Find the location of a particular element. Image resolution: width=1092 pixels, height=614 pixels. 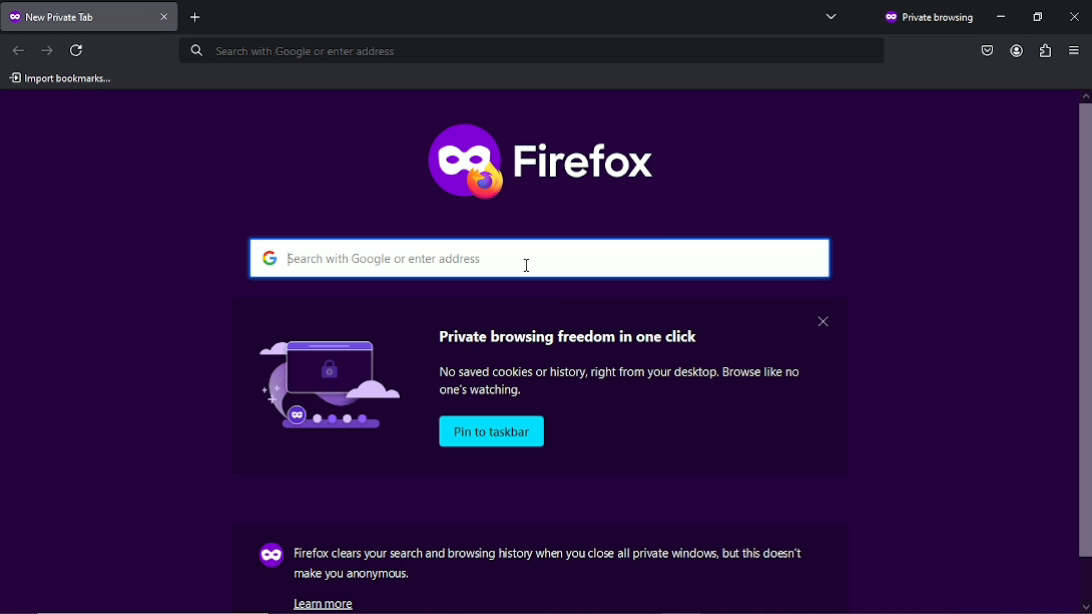

logo is located at coordinates (318, 381).